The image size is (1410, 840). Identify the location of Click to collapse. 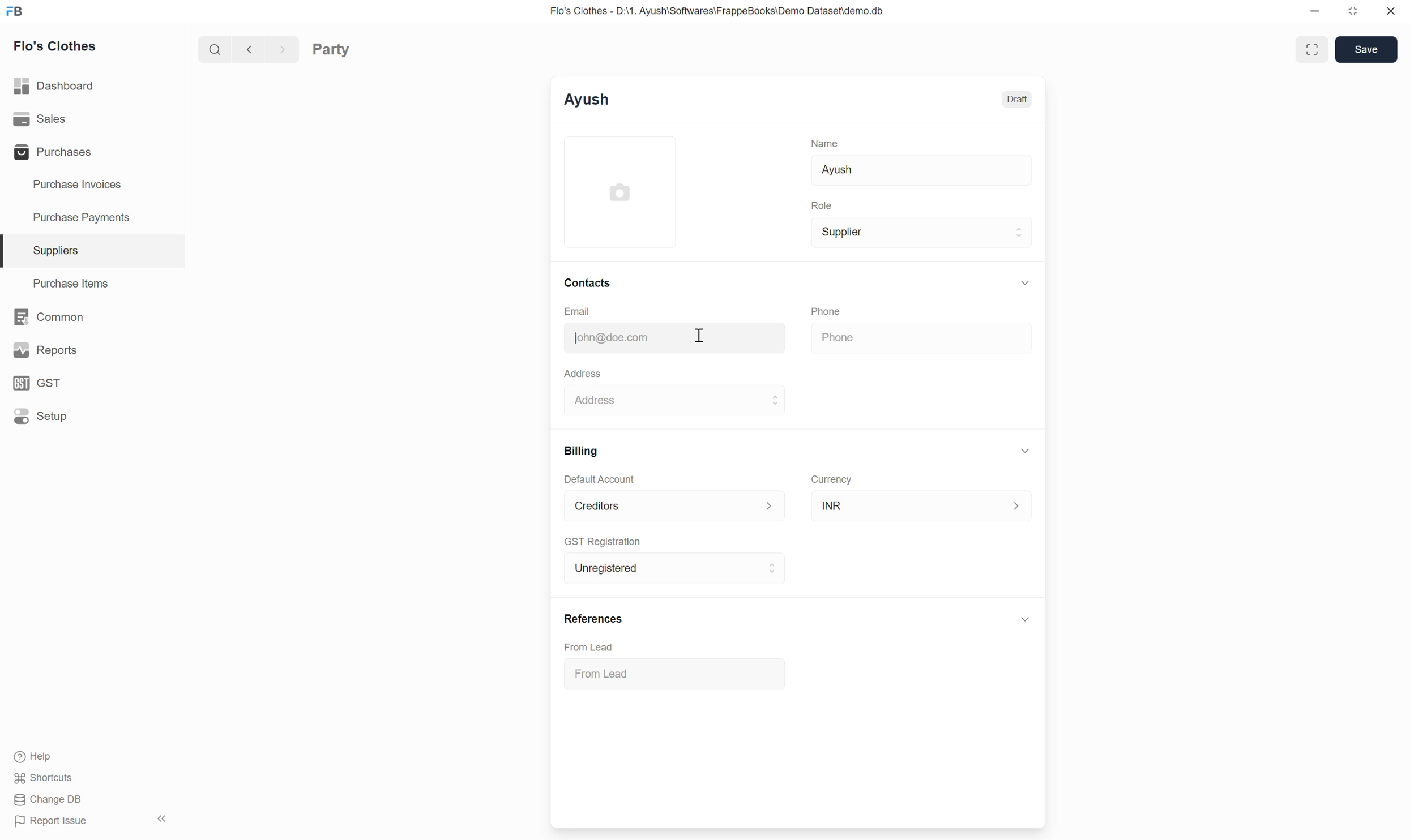
(1026, 619).